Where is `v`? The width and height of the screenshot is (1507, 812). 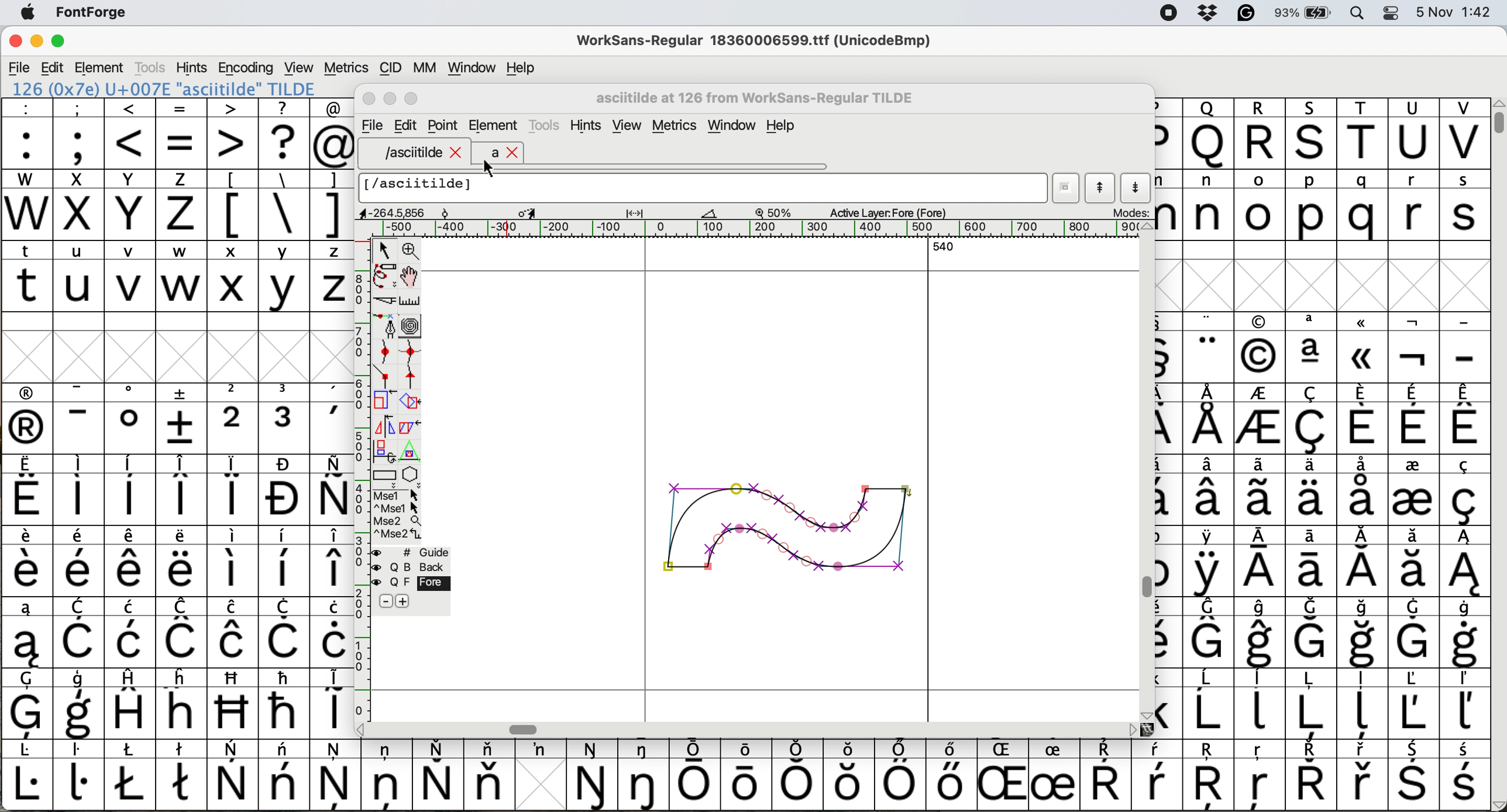 v is located at coordinates (130, 278).